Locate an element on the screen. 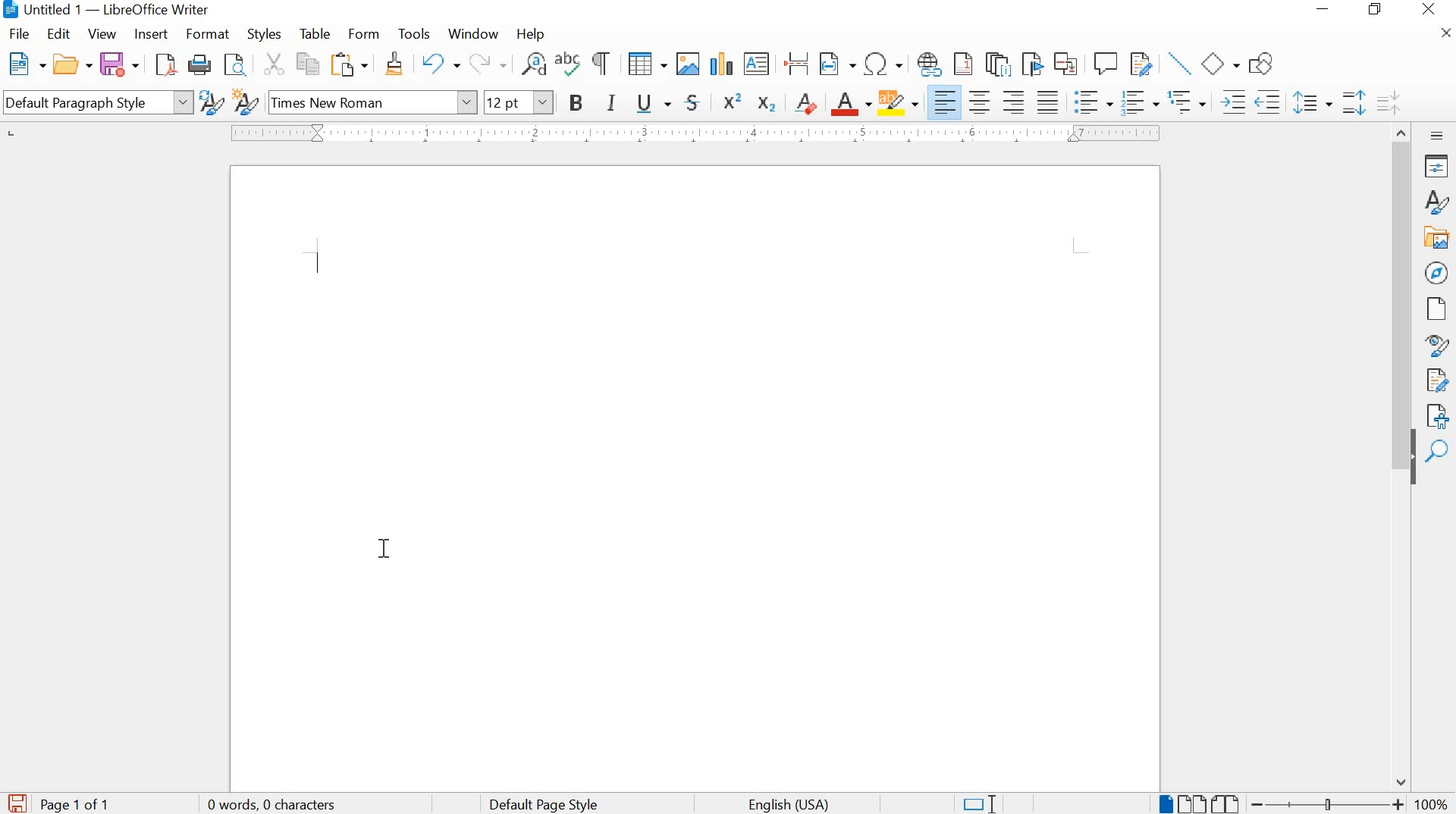 The image size is (1456, 814). INSERT ENDNOTE is located at coordinates (996, 64).